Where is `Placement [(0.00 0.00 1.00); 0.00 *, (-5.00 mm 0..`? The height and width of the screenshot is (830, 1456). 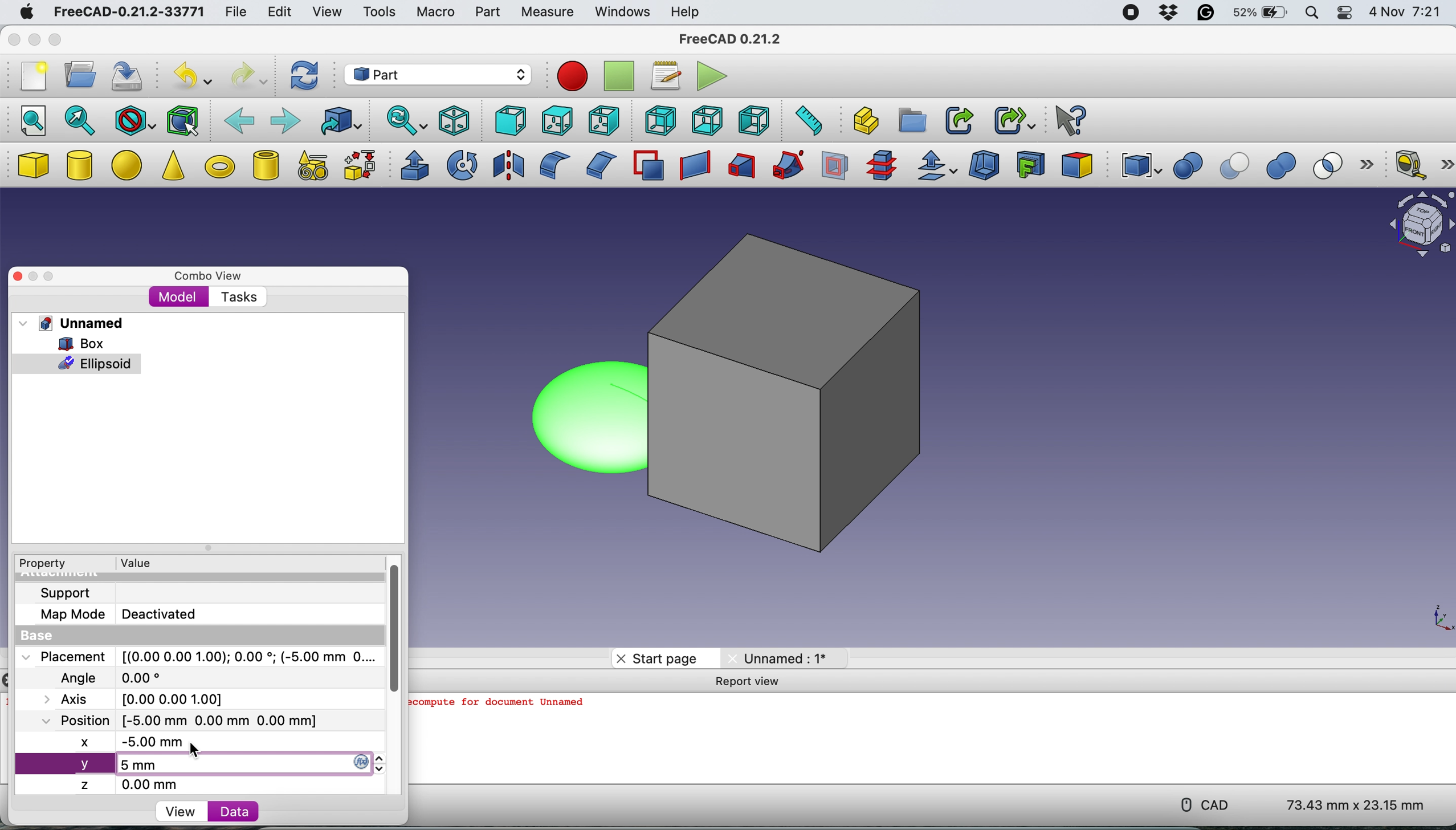
Placement [(0.00 0.00 1.00); 0.00 *, (-5.00 mm 0.. is located at coordinates (197, 656).